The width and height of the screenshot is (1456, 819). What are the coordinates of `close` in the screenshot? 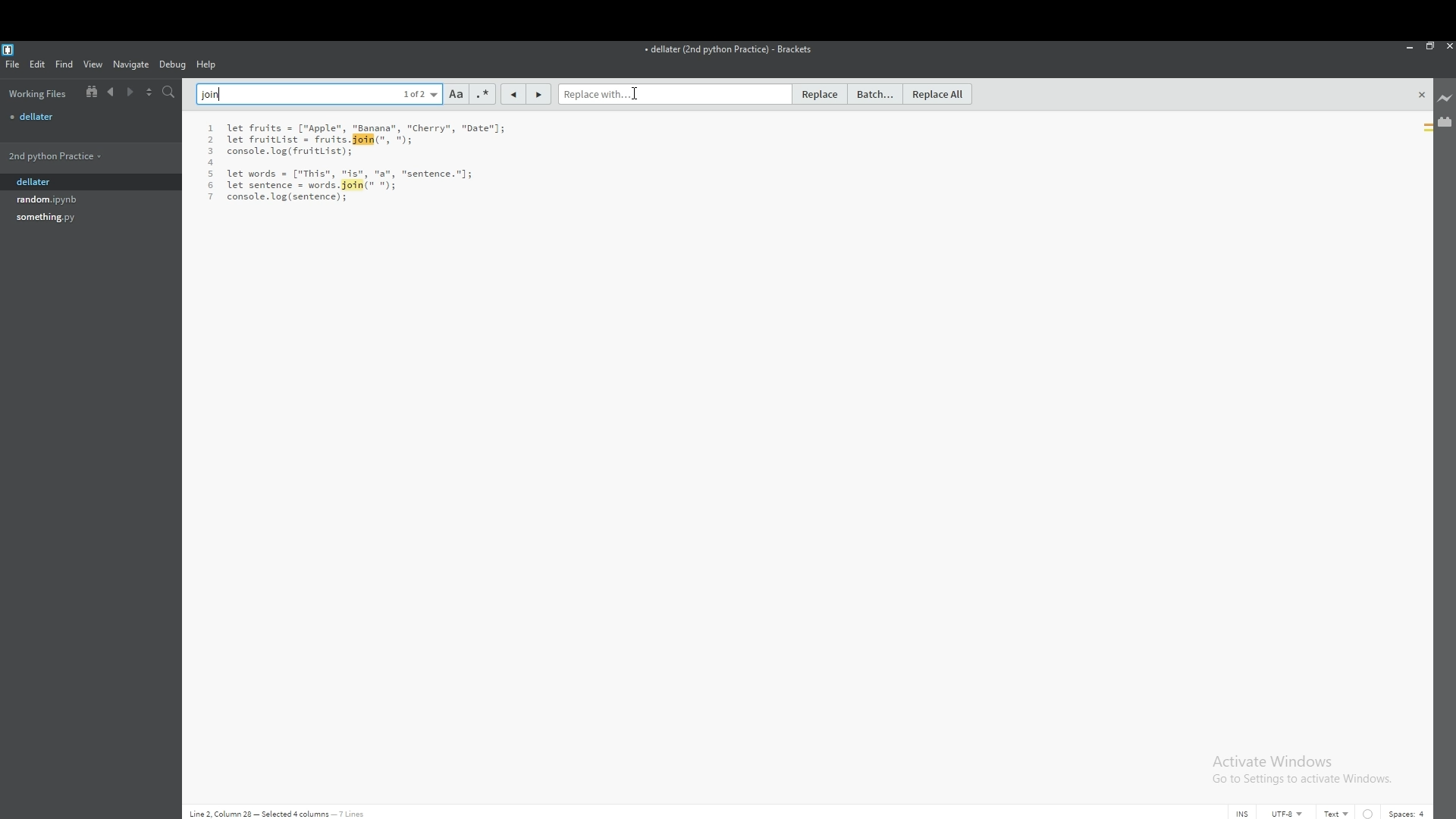 It's located at (1447, 46).